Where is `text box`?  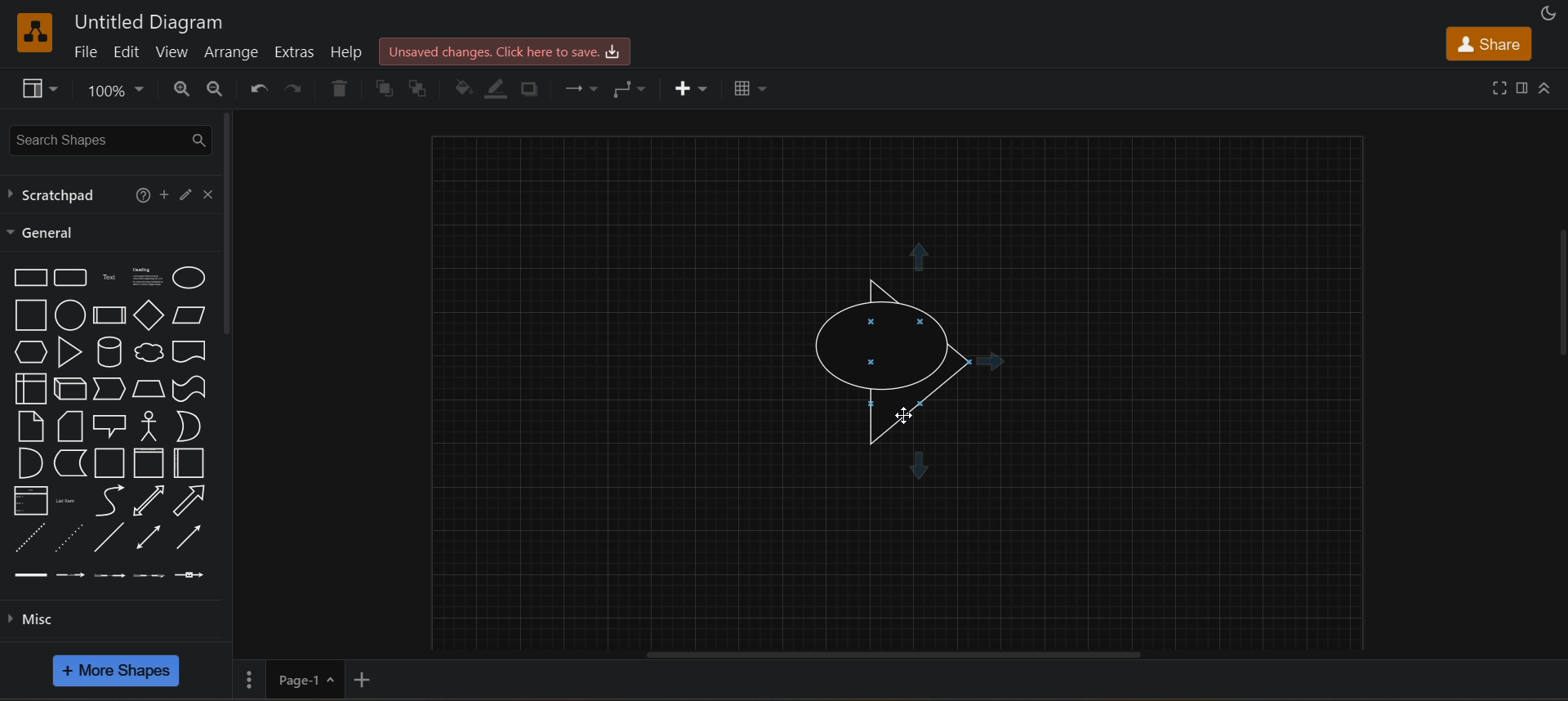
text box is located at coordinates (147, 275).